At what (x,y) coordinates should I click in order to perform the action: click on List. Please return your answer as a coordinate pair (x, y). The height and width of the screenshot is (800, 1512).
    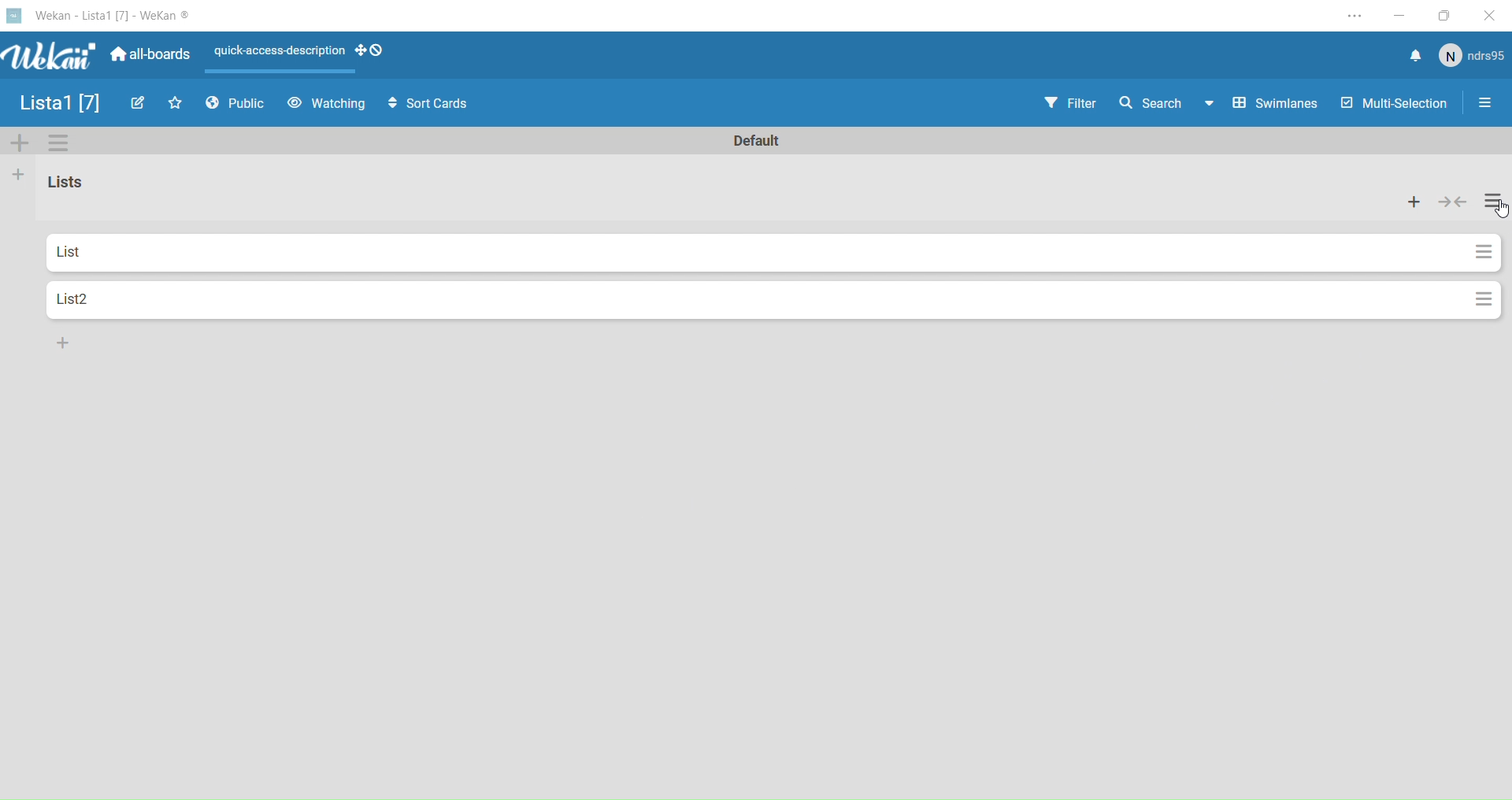
    Looking at the image, I should click on (57, 102).